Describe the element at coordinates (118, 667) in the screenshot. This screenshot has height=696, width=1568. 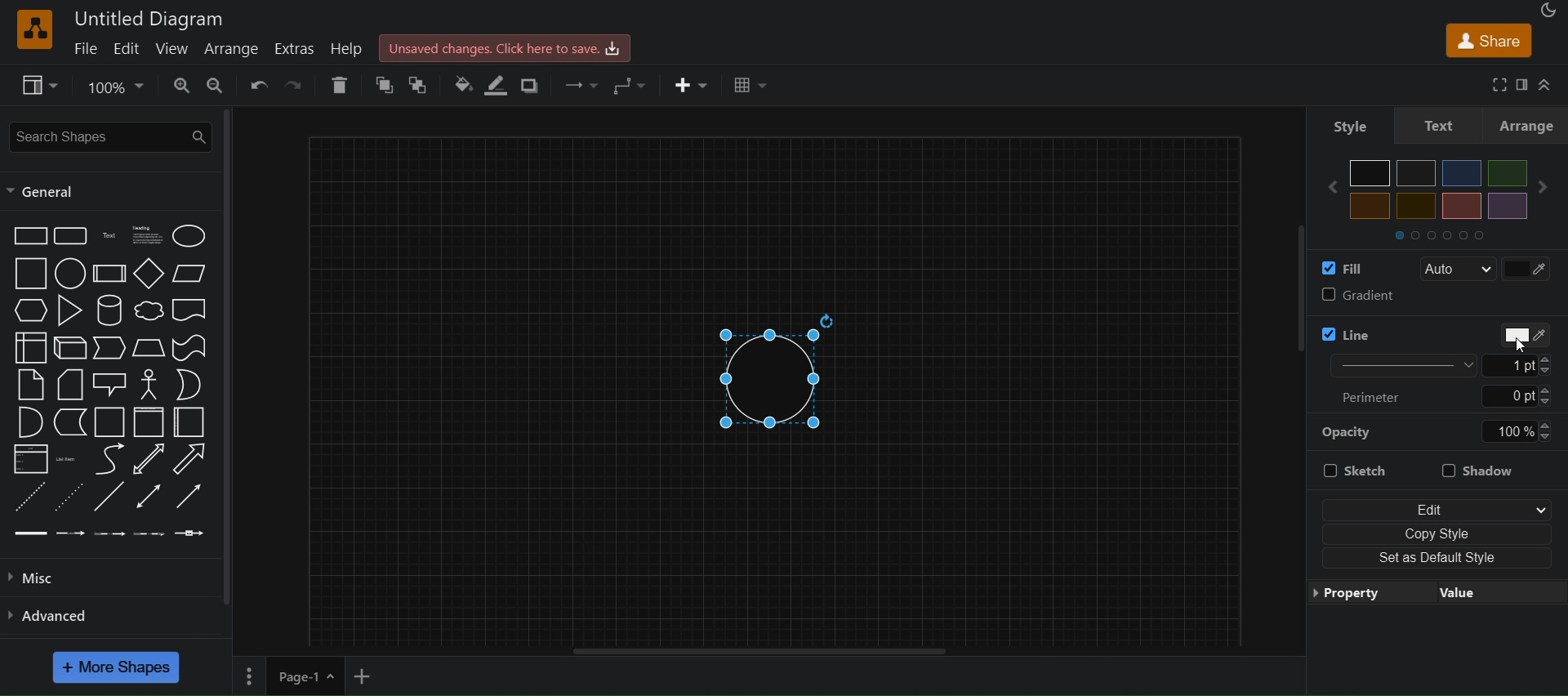
I see `more shapes` at that location.